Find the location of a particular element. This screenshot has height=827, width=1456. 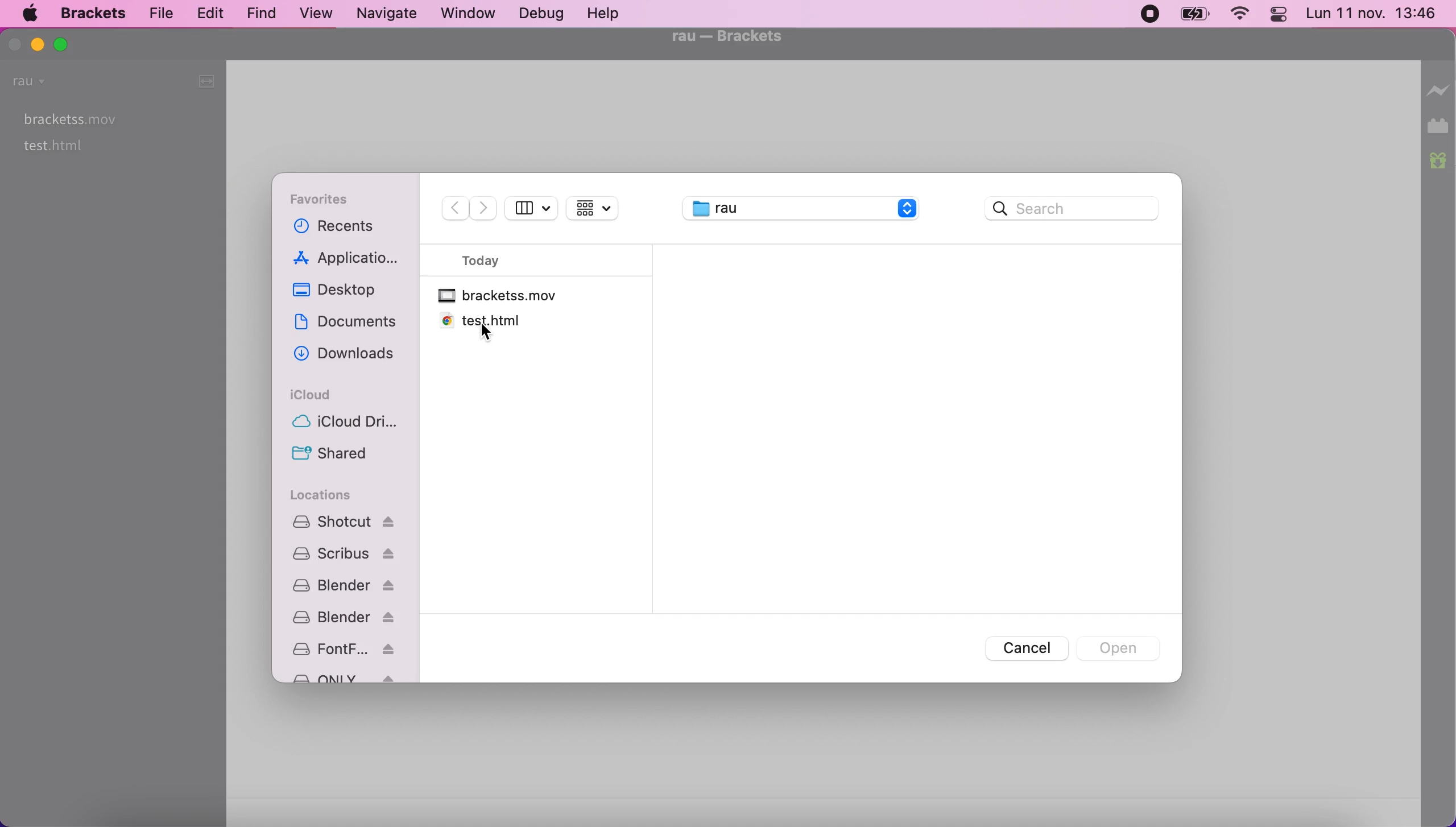

rau is located at coordinates (31, 82).